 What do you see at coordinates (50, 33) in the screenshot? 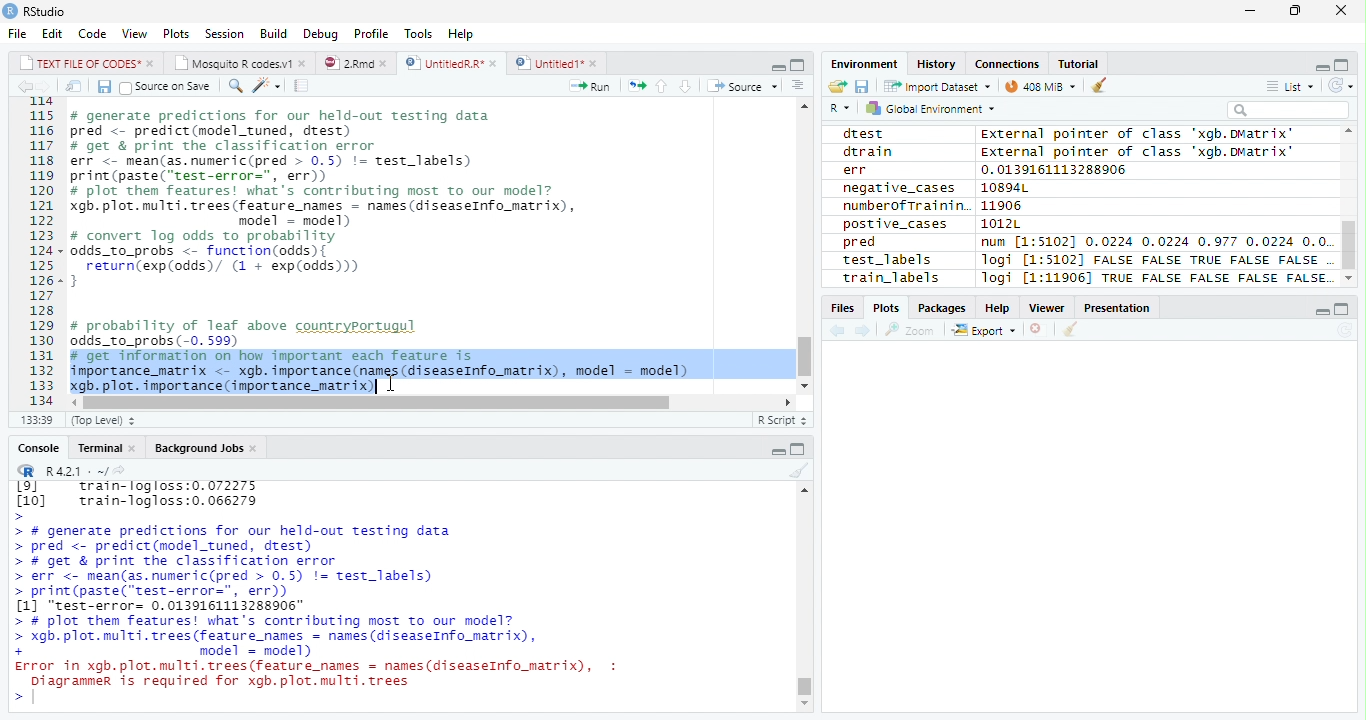
I see `Edit` at bounding box center [50, 33].